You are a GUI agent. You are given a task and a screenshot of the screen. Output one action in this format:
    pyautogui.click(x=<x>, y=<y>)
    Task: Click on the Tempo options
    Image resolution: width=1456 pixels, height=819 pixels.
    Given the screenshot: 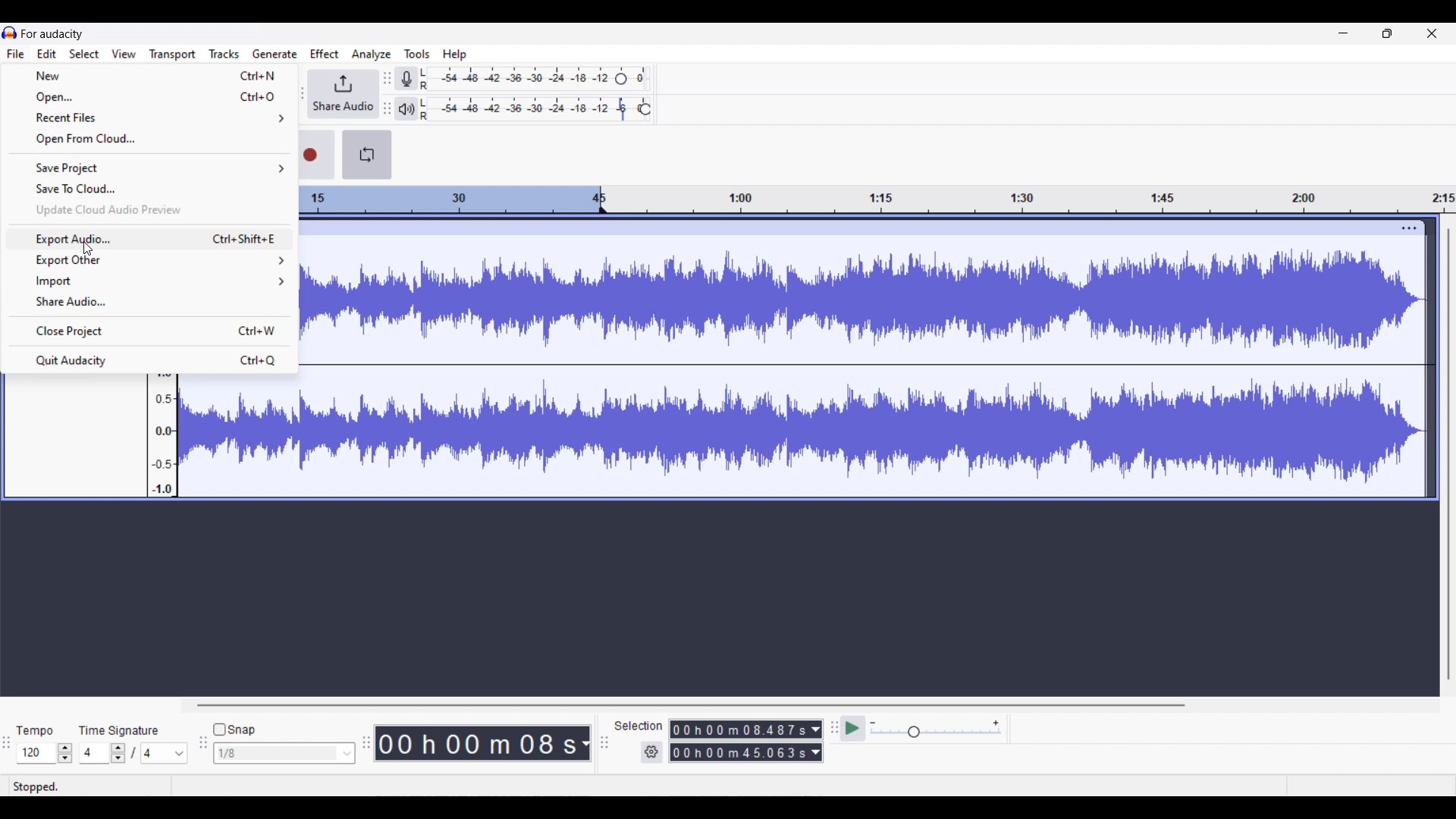 What is the action you would take?
    pyautogui.click(x=36, y=753)
    